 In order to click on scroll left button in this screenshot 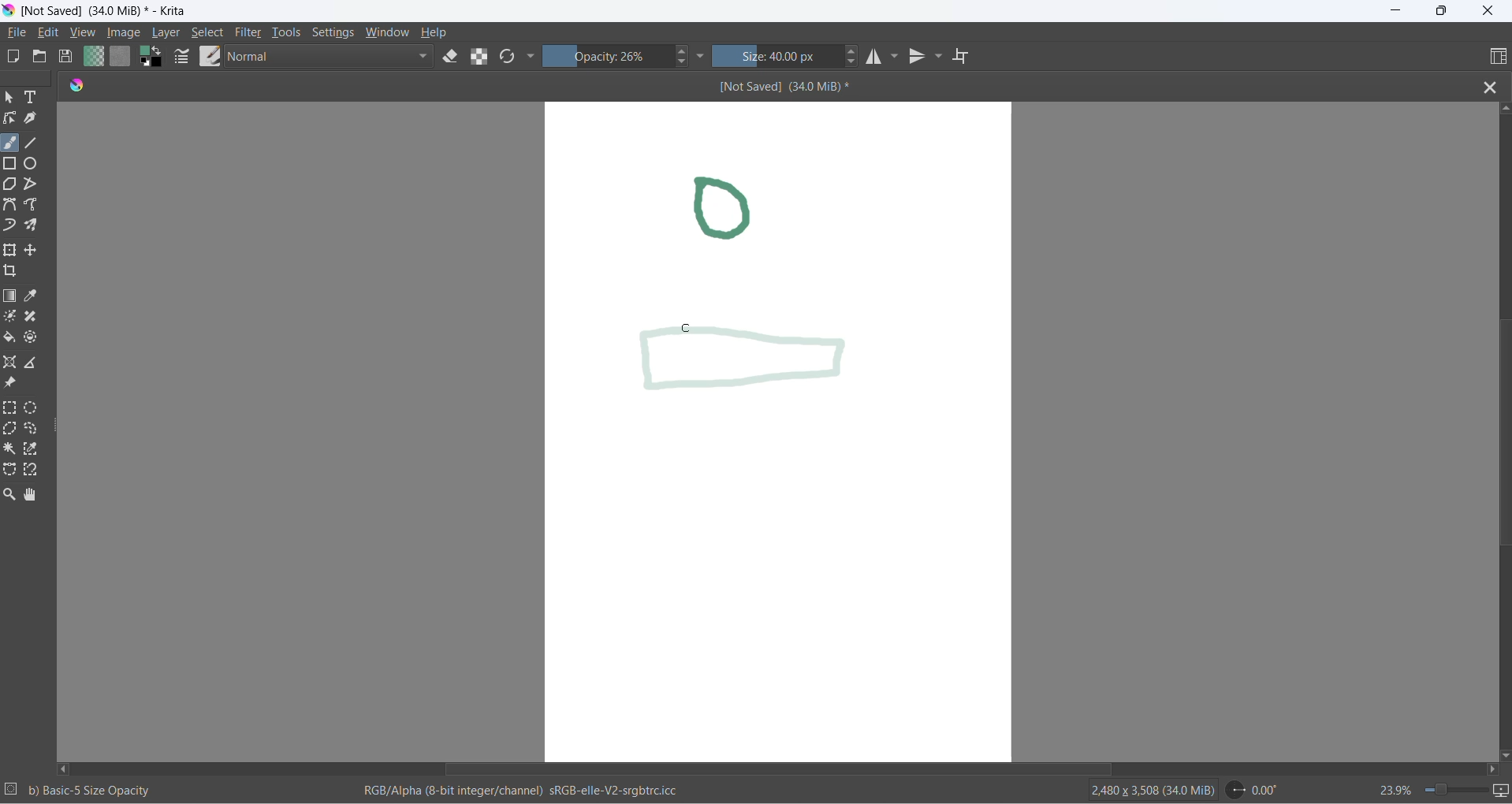, I will do `click(69, 765)`.